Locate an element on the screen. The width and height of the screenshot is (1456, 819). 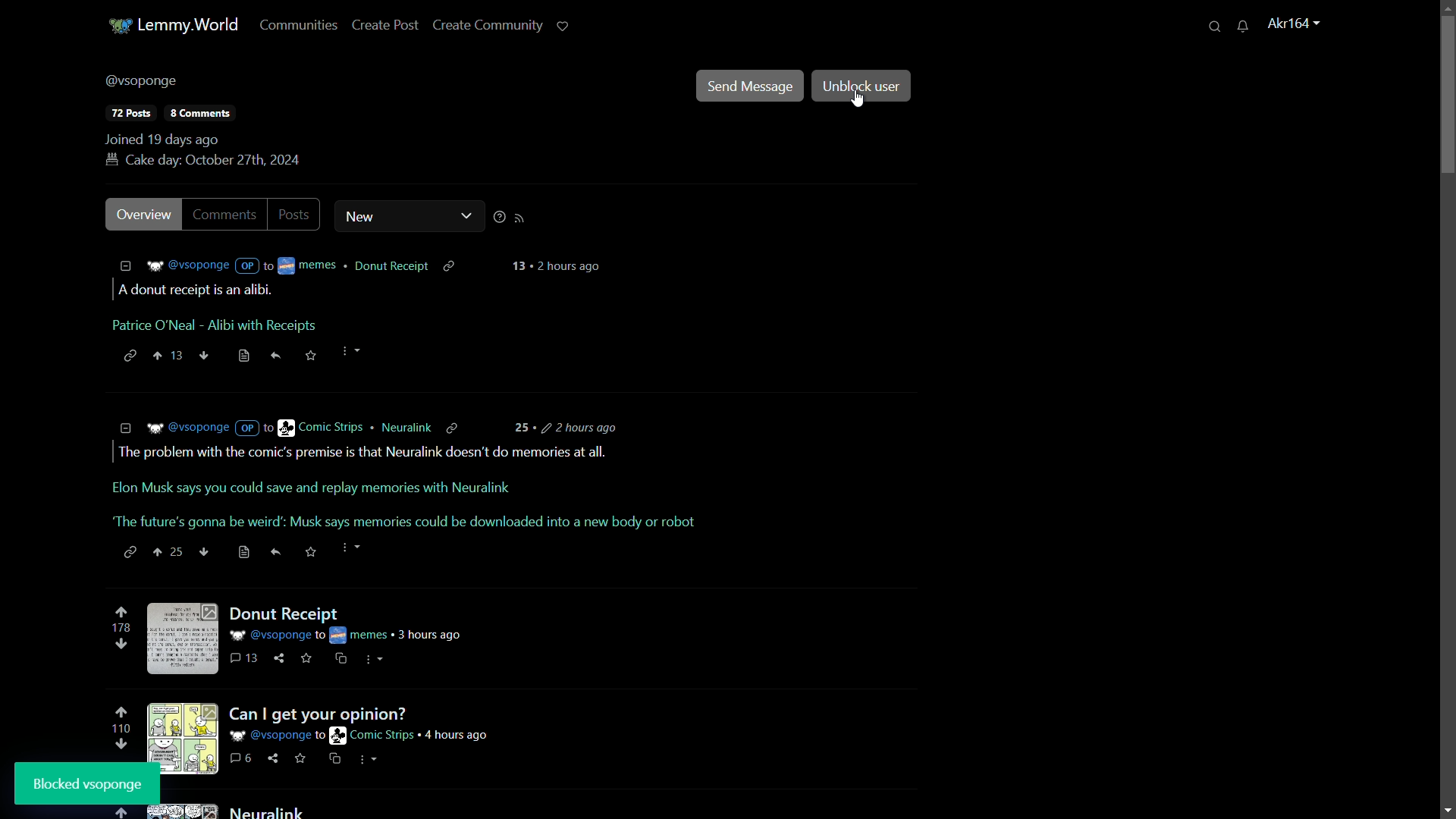
overview is located at coordinates (143, 215).